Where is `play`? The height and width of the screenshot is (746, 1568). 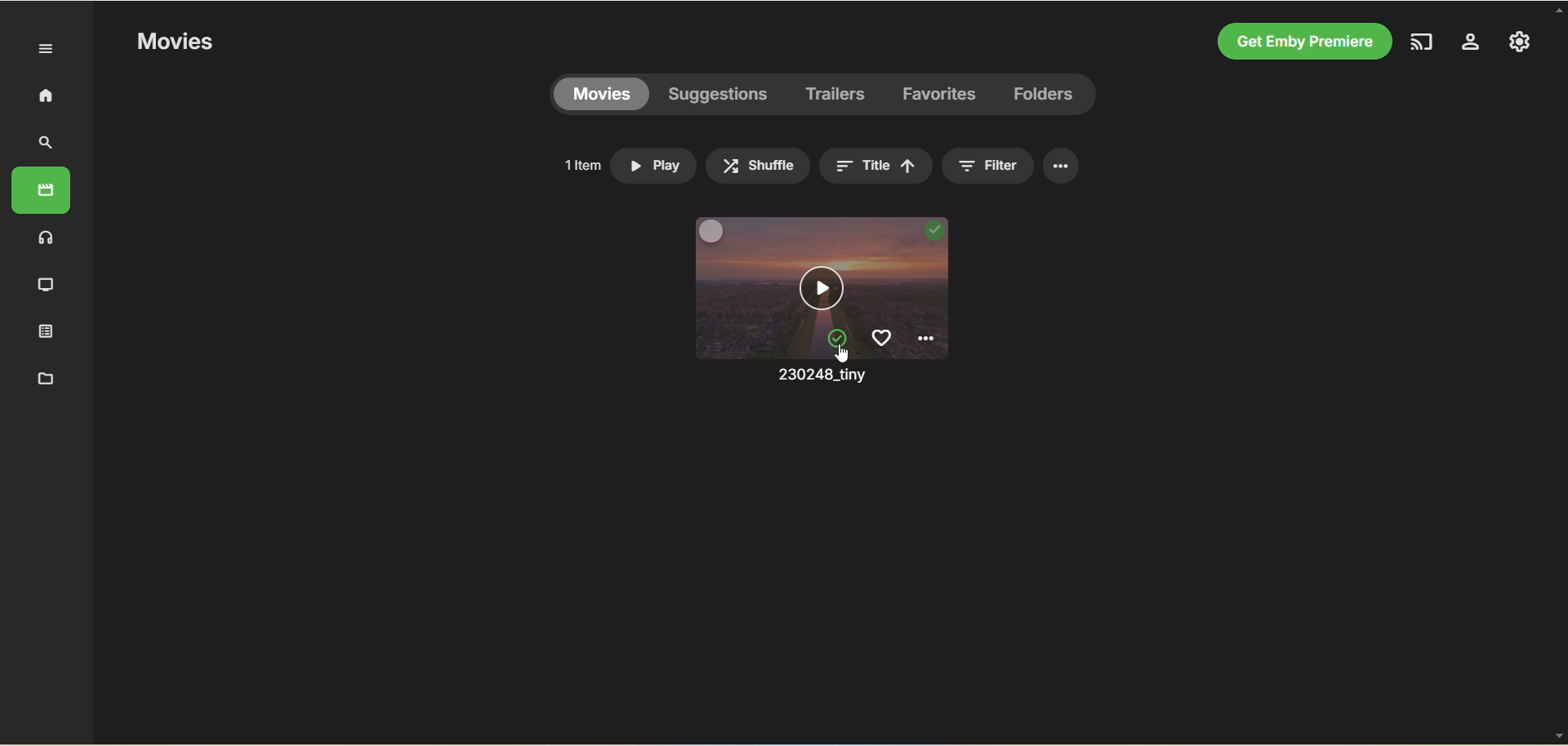
play is located at coordinates (824, 290).